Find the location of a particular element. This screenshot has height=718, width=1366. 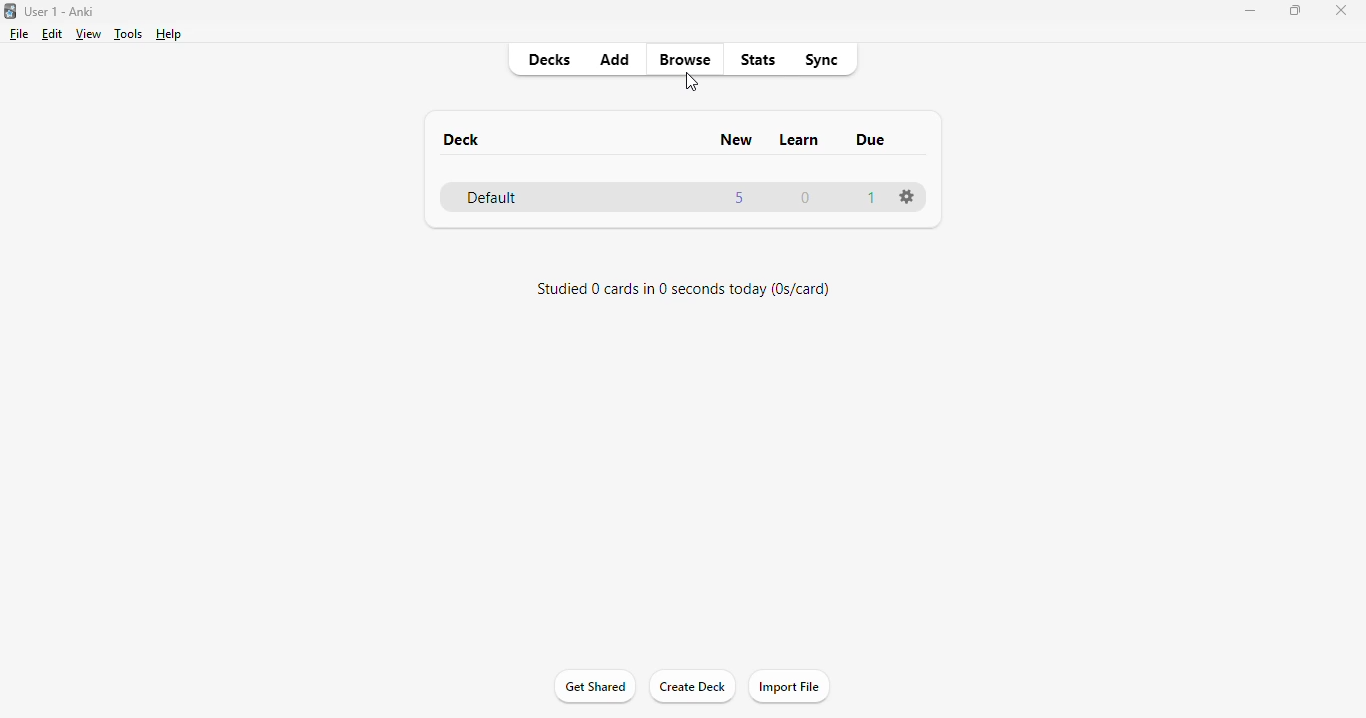

close is located at coordinates (1340, 9).